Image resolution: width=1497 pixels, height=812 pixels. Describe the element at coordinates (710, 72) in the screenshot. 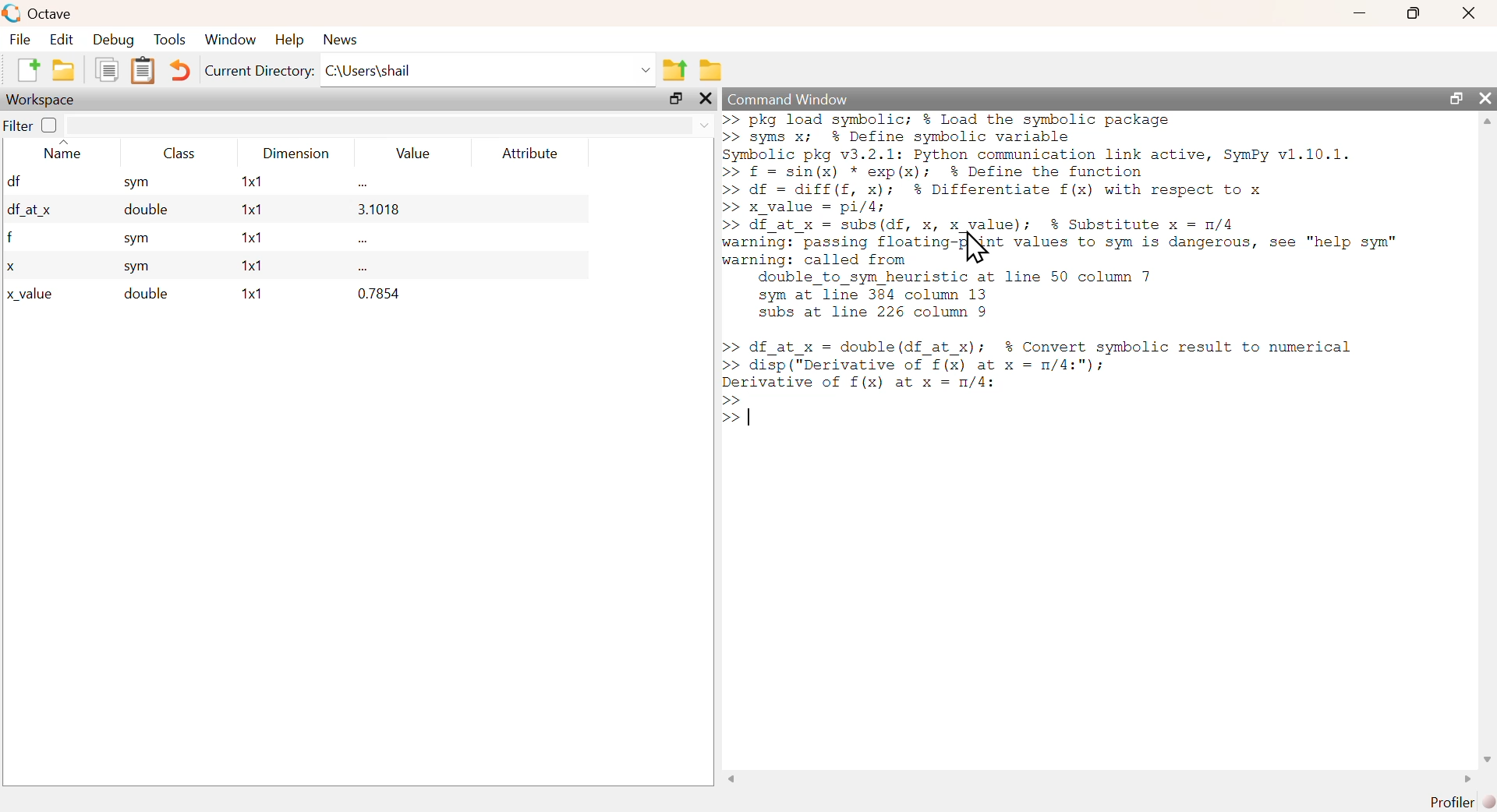

I see `Browse directories` at that location.